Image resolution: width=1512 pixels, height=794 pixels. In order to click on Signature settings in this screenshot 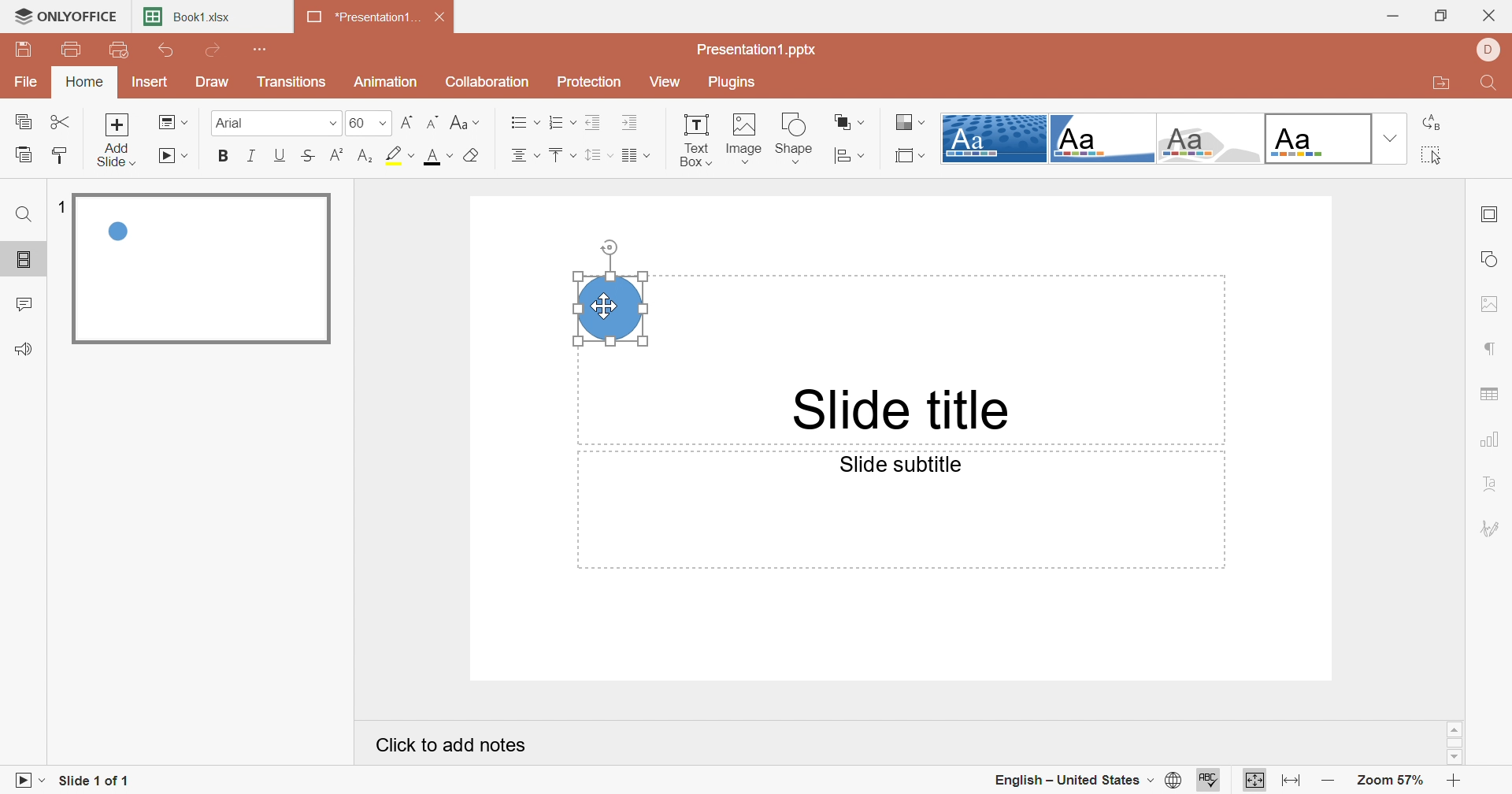, I will do `click(1491, 528)`.